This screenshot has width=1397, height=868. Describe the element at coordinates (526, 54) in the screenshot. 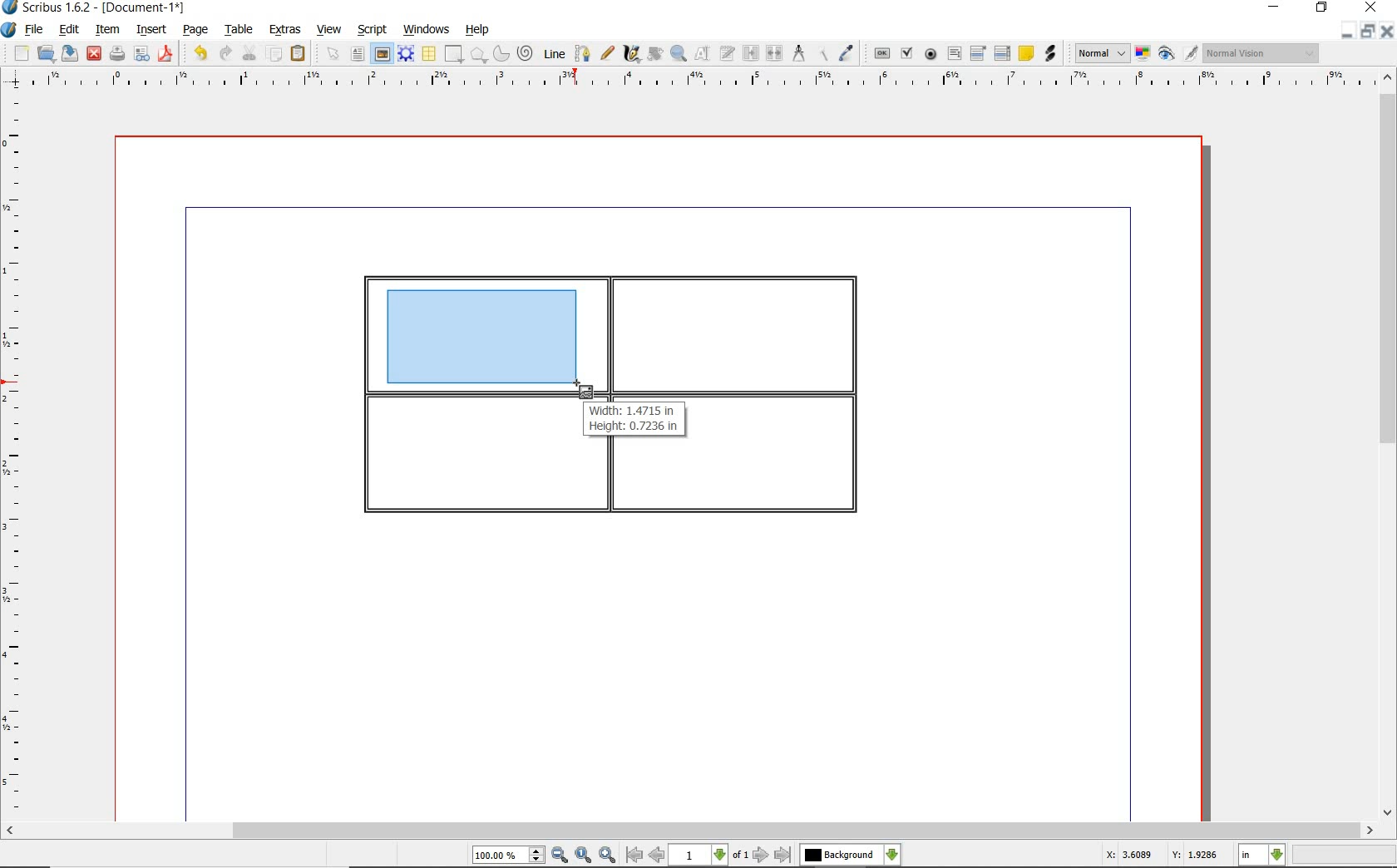

I see `spiral` at that location.